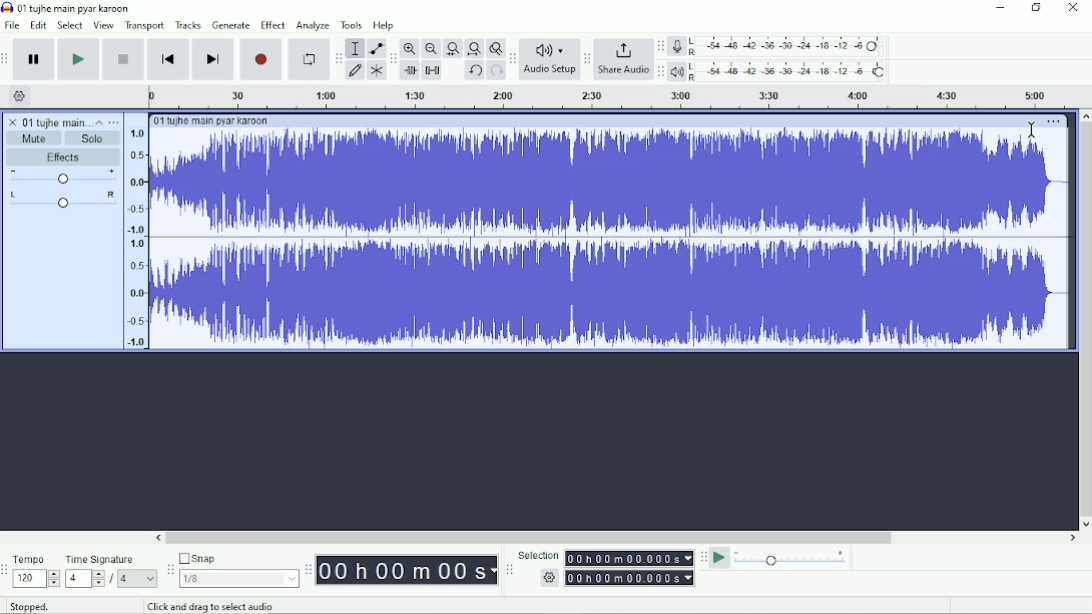 This screenshot has height=614, width=1092. What do you see at coordinates (122, 59) in the screenshot?
I see `Stop` at bounding box center [122, 59].